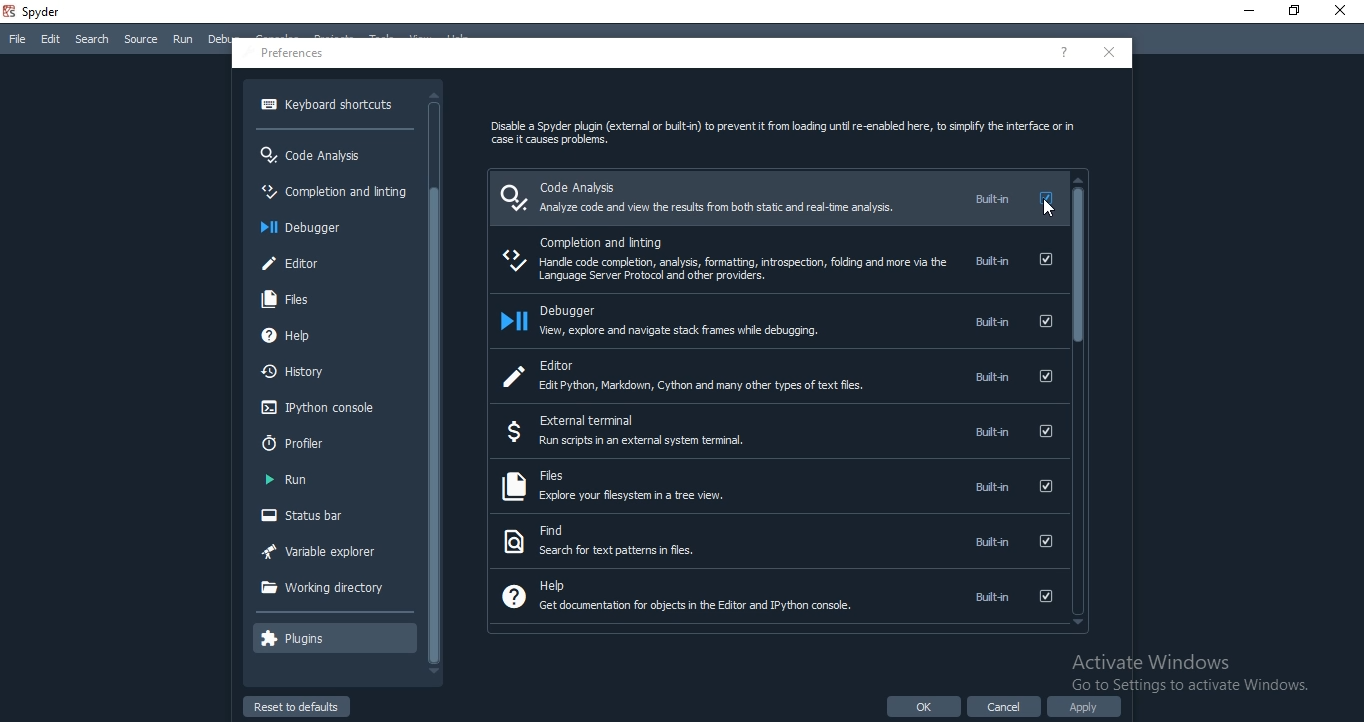 The width and height of the screenshot is (1364, 722). I want to click on reset to defaults, so click(298, 709).